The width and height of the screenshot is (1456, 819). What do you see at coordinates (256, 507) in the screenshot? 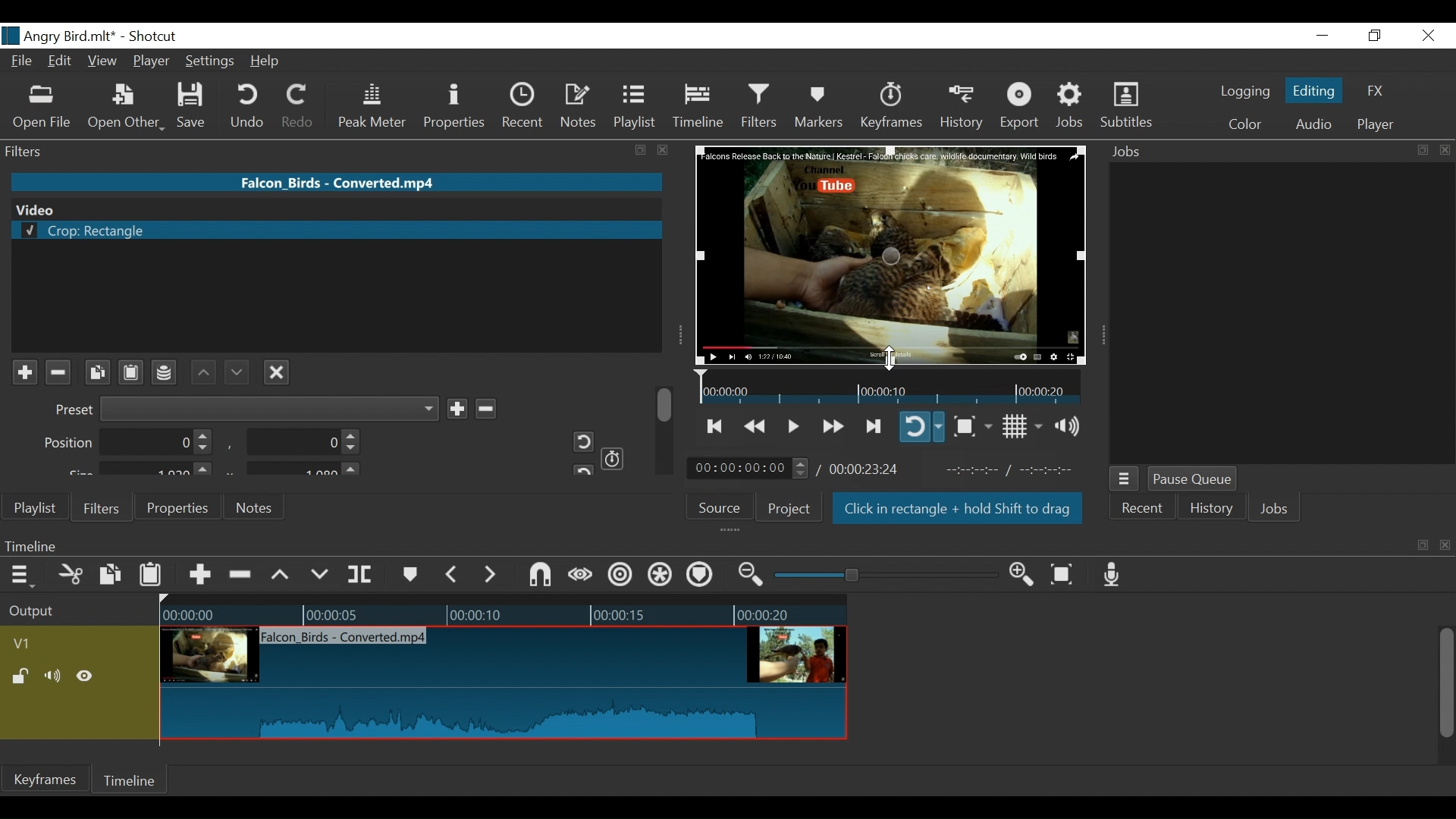
I see `Notes` at bounding box center [256, 507].